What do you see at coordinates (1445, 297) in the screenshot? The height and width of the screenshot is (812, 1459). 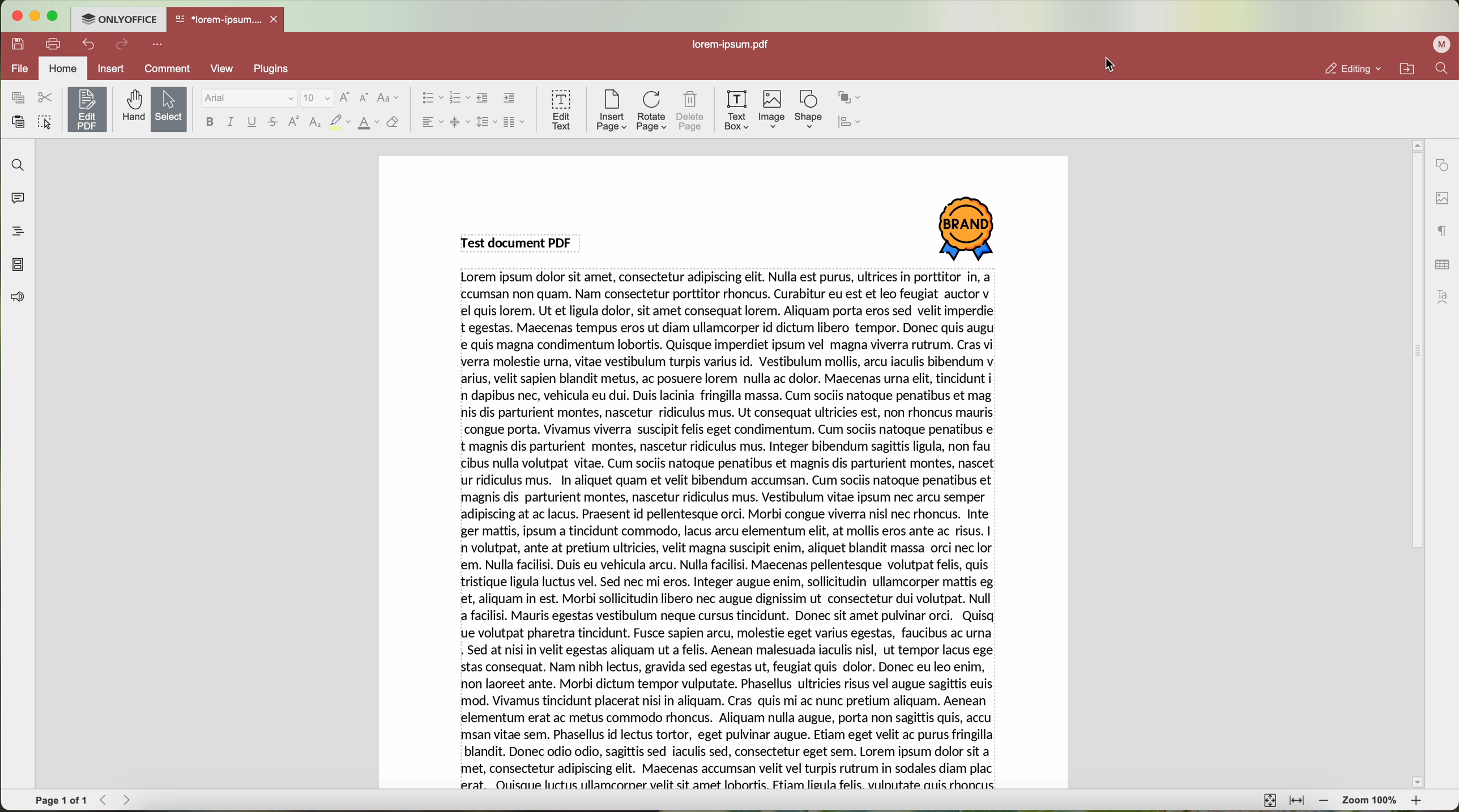 I see `text art settings` at bounding box center [1445, 297].